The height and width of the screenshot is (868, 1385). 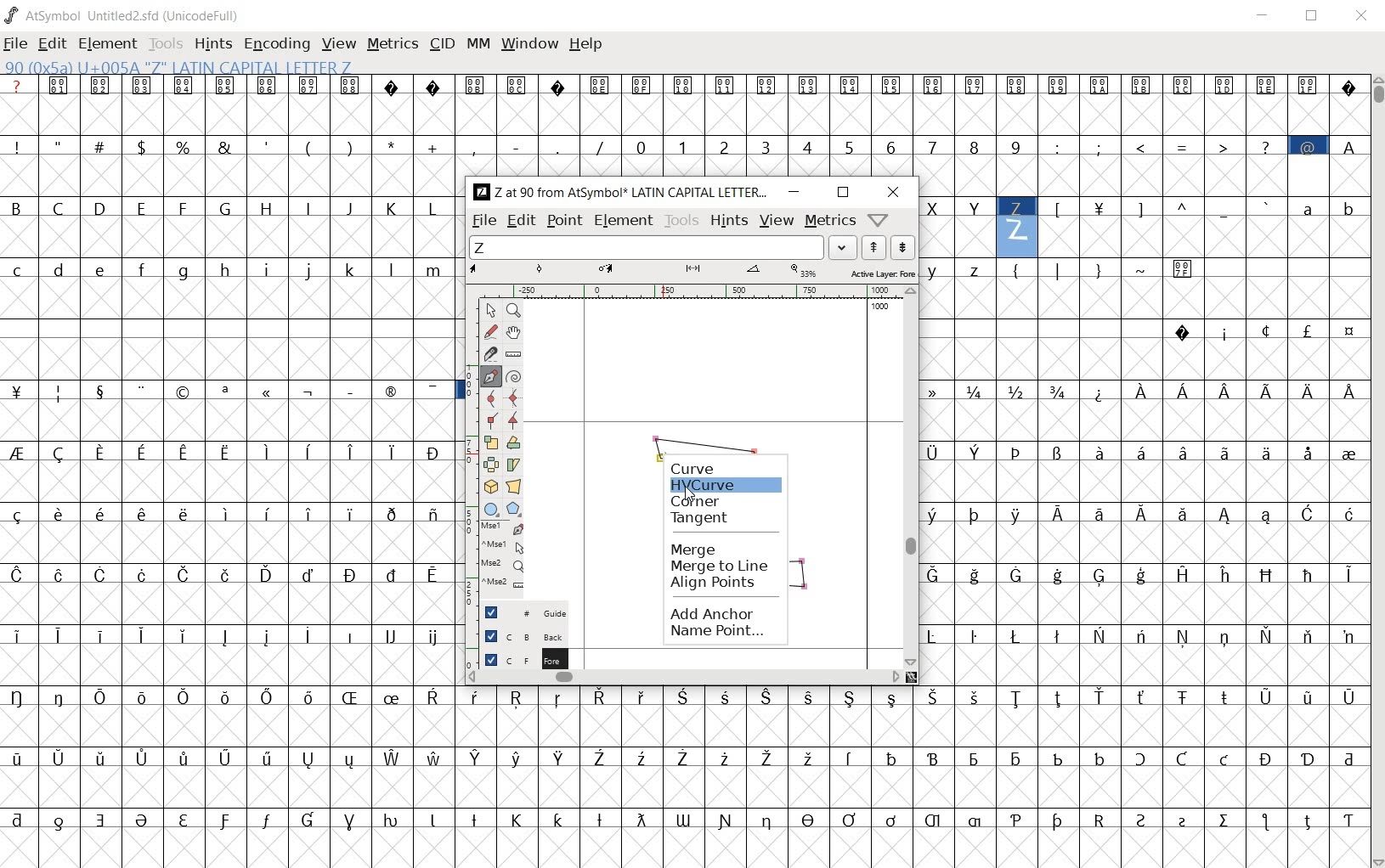 What do you see at coordinates (564, 222) in the screenshot?
I see `point` at bounding box center [564, 222].